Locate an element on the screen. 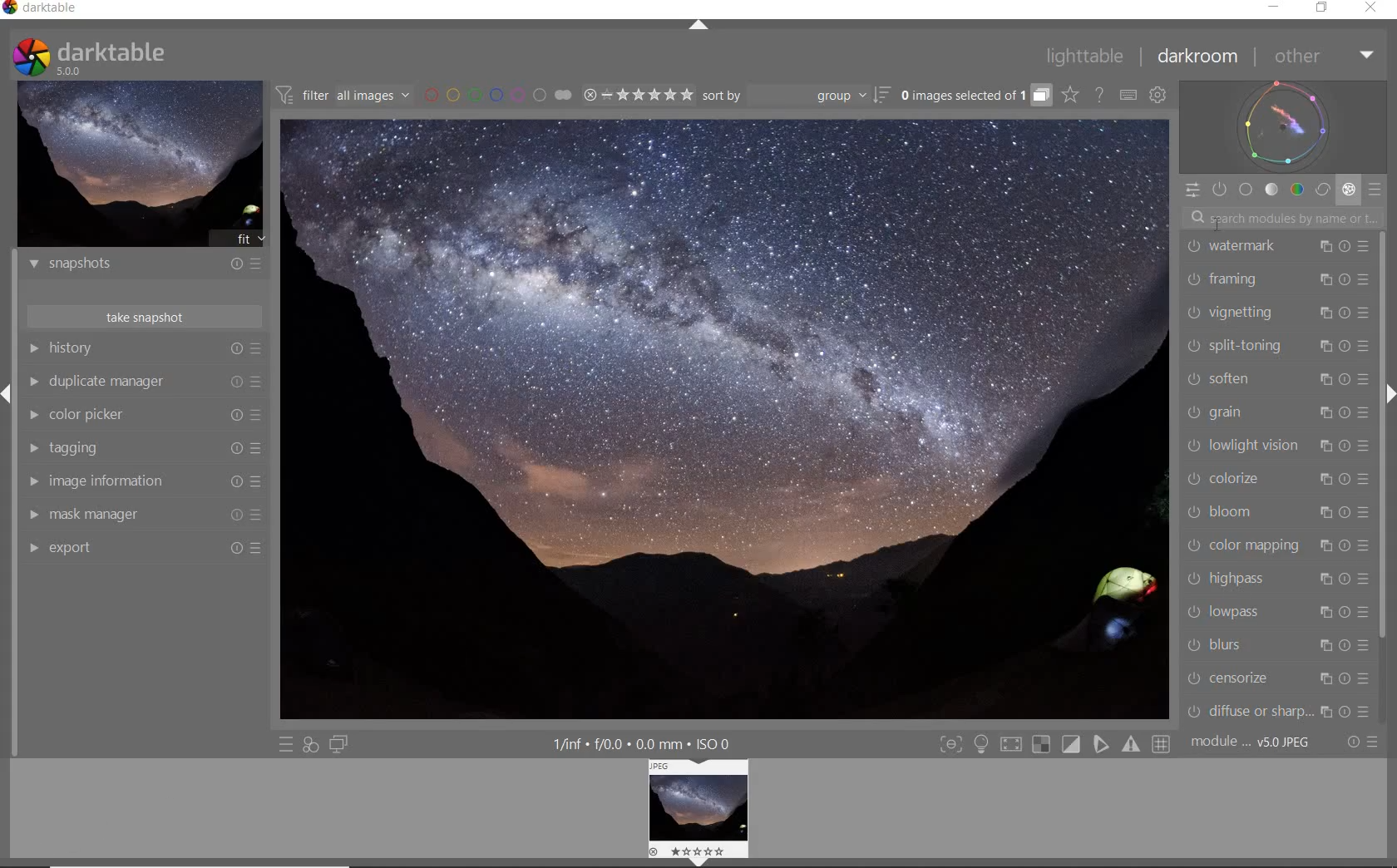 Image resolution: width=1397 pixels, height=868 pixels. reset parameters is located at coordinates (1344, 645).